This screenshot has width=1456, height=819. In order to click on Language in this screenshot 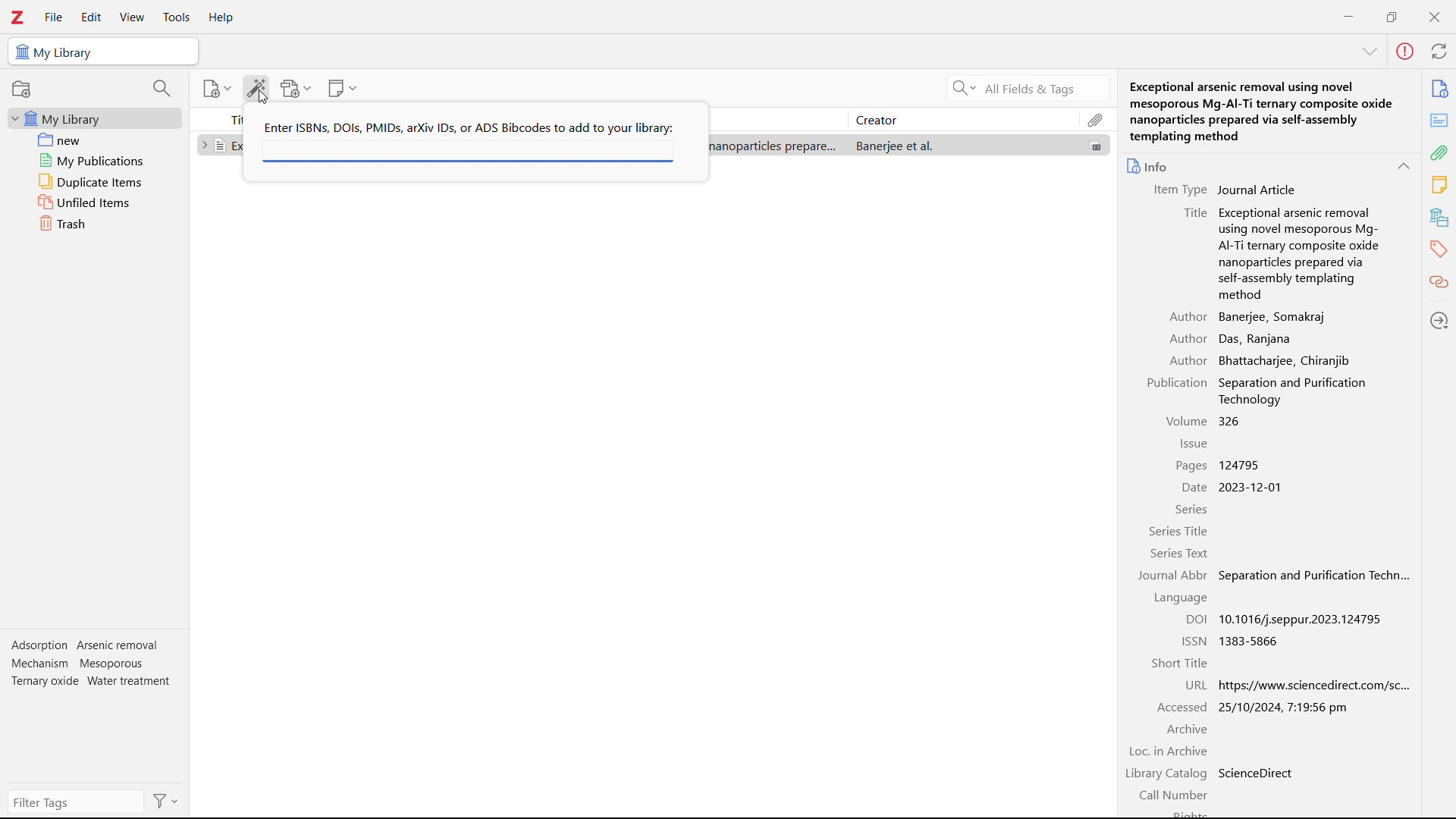, I will do `click(1175, 598)`.